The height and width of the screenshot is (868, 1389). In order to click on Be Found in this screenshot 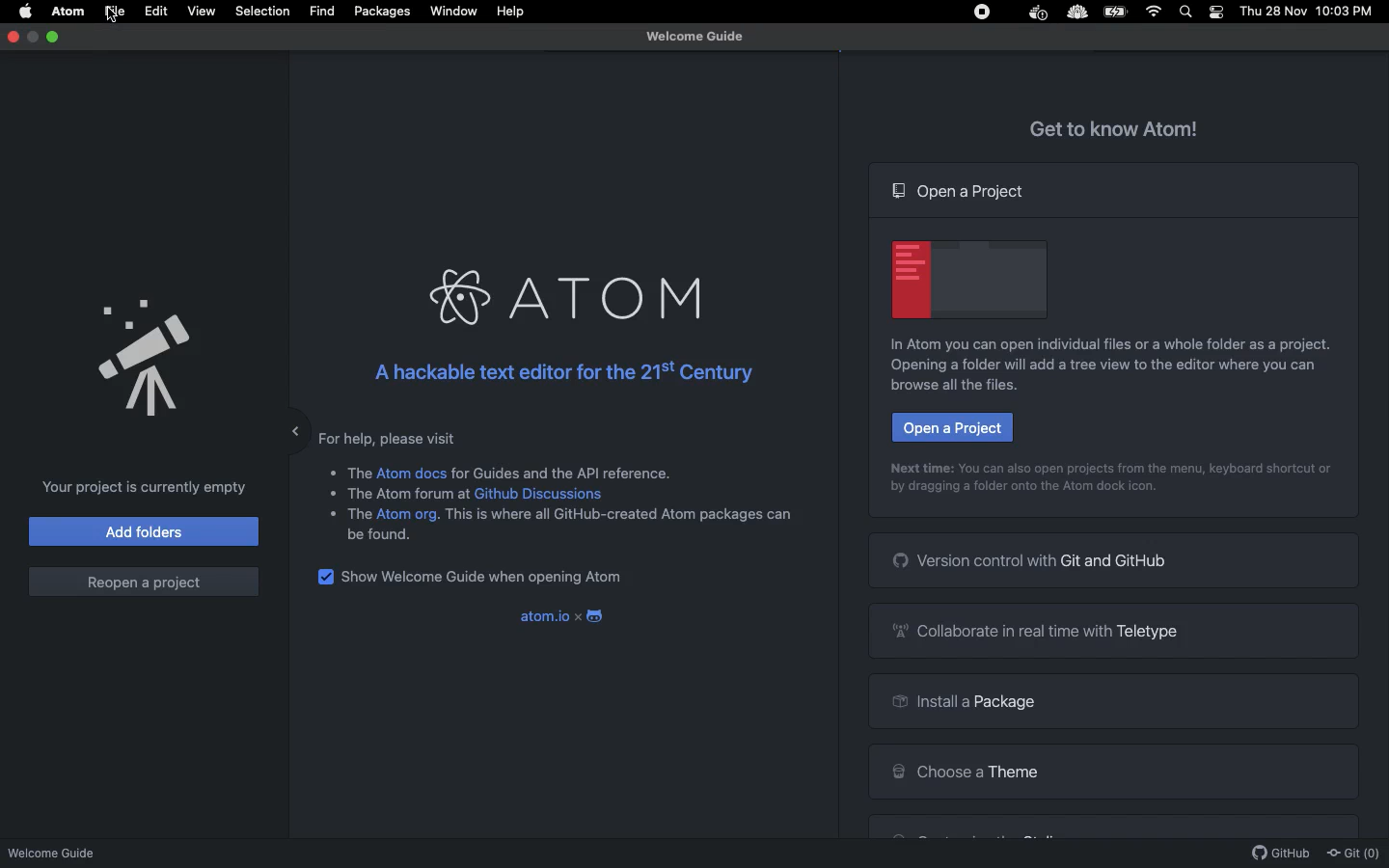, I will do `click(387, 535)`.